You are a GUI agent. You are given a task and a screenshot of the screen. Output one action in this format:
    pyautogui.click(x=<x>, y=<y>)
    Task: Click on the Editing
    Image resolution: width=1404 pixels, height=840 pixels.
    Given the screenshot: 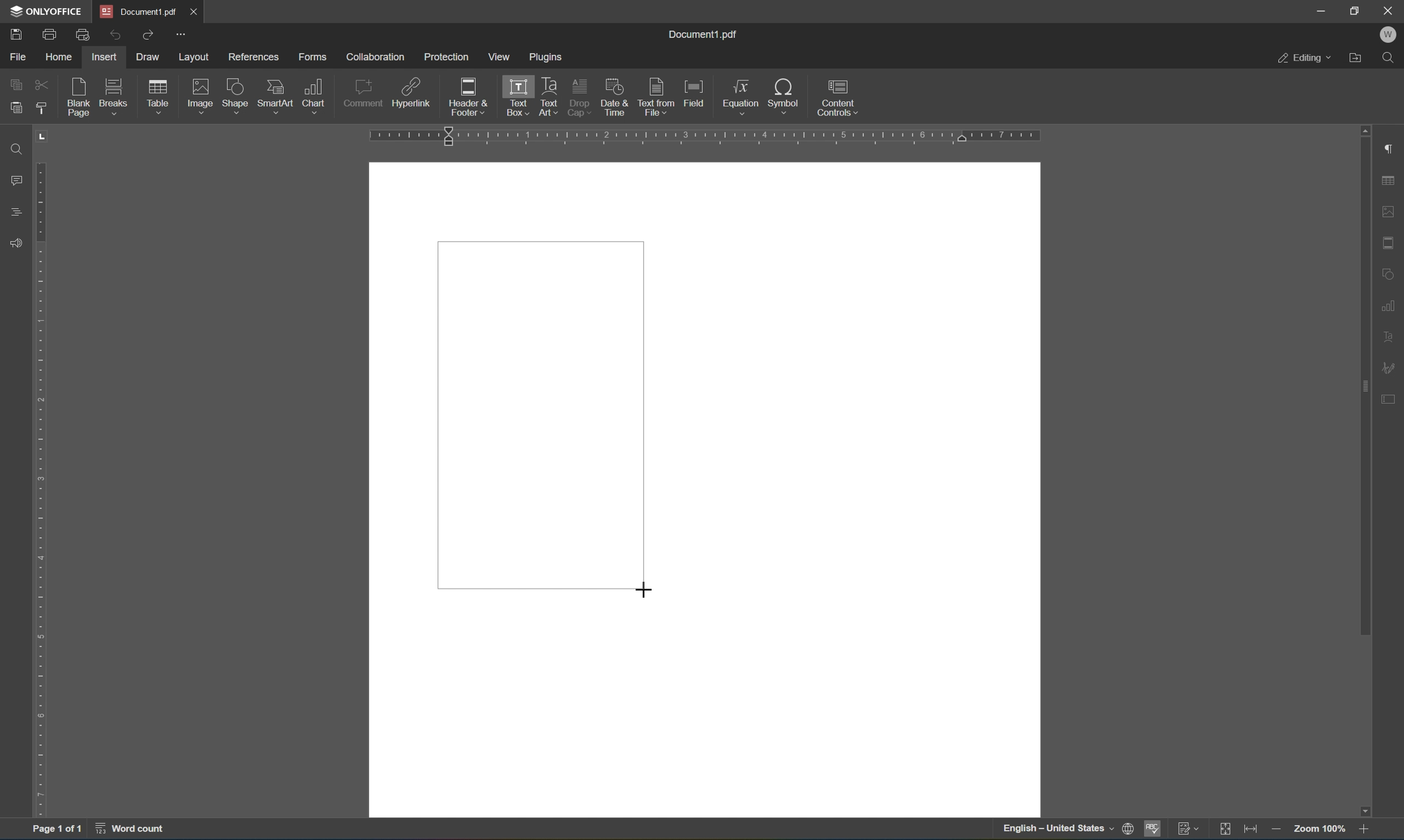 What is the action you would take?
    pyautogui.click(x=1304, y=59)
    